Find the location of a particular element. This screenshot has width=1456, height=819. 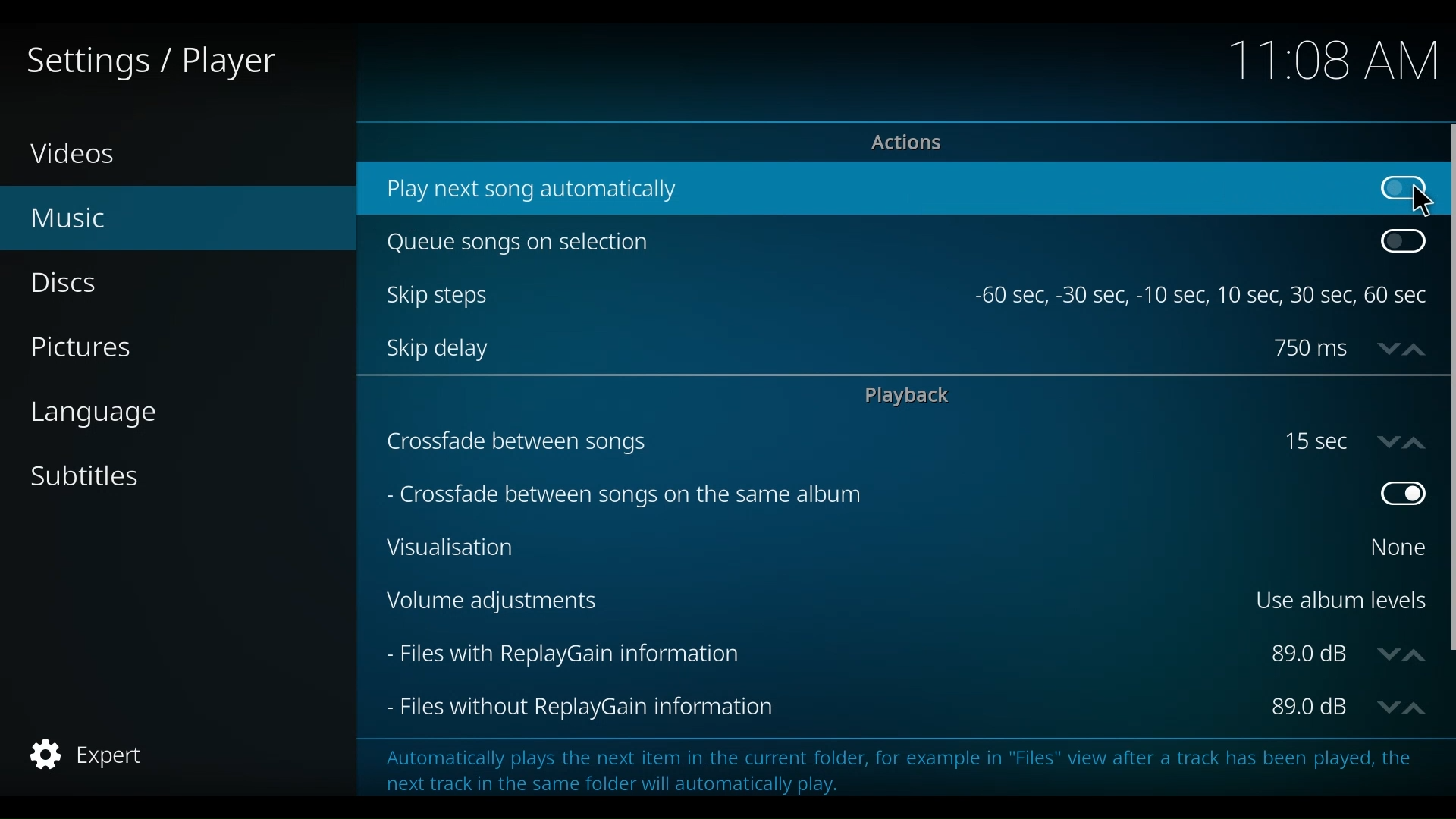

Discs is located at coordinates (70, 284).